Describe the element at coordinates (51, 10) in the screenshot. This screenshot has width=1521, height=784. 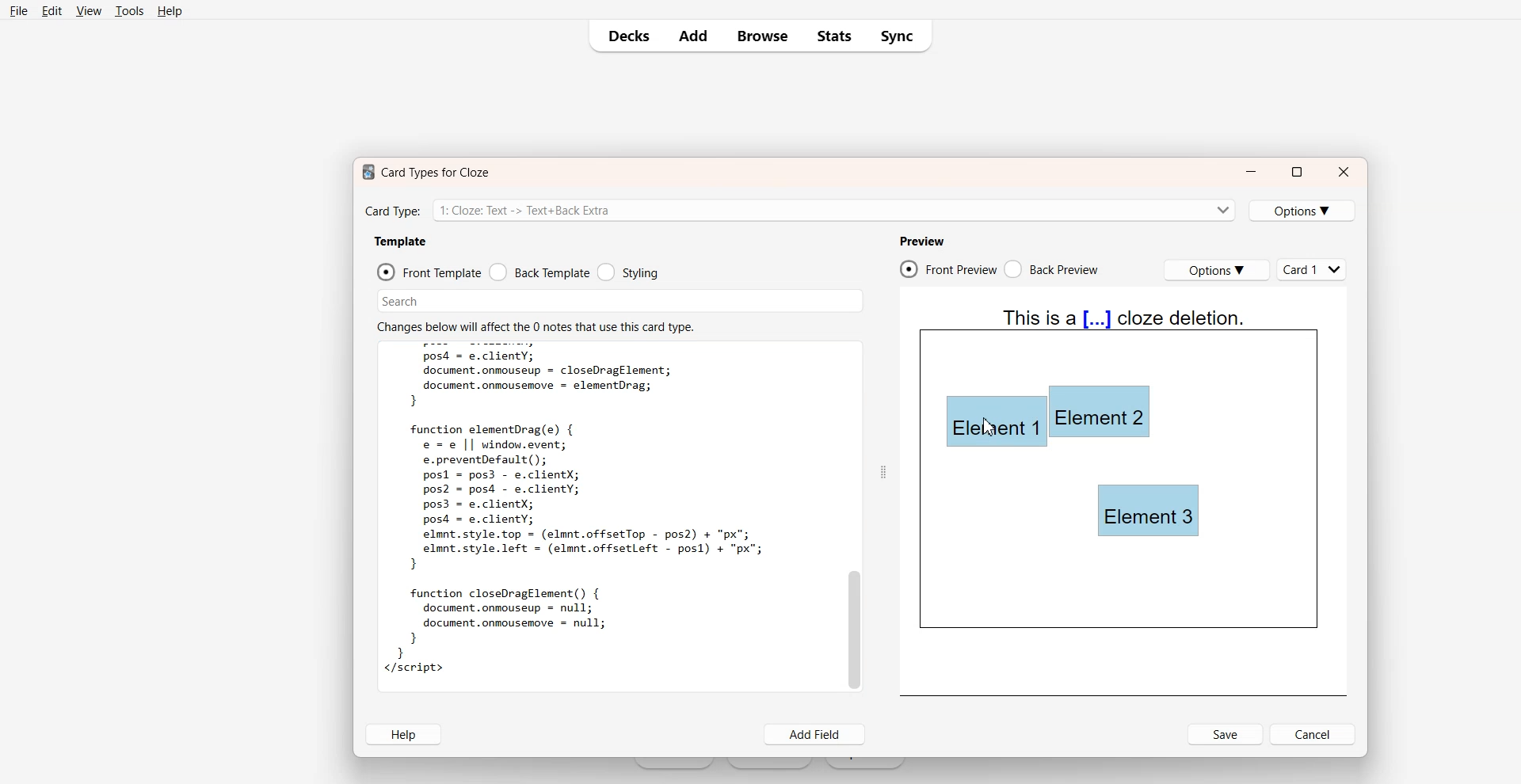
I see `Edit` at that location.